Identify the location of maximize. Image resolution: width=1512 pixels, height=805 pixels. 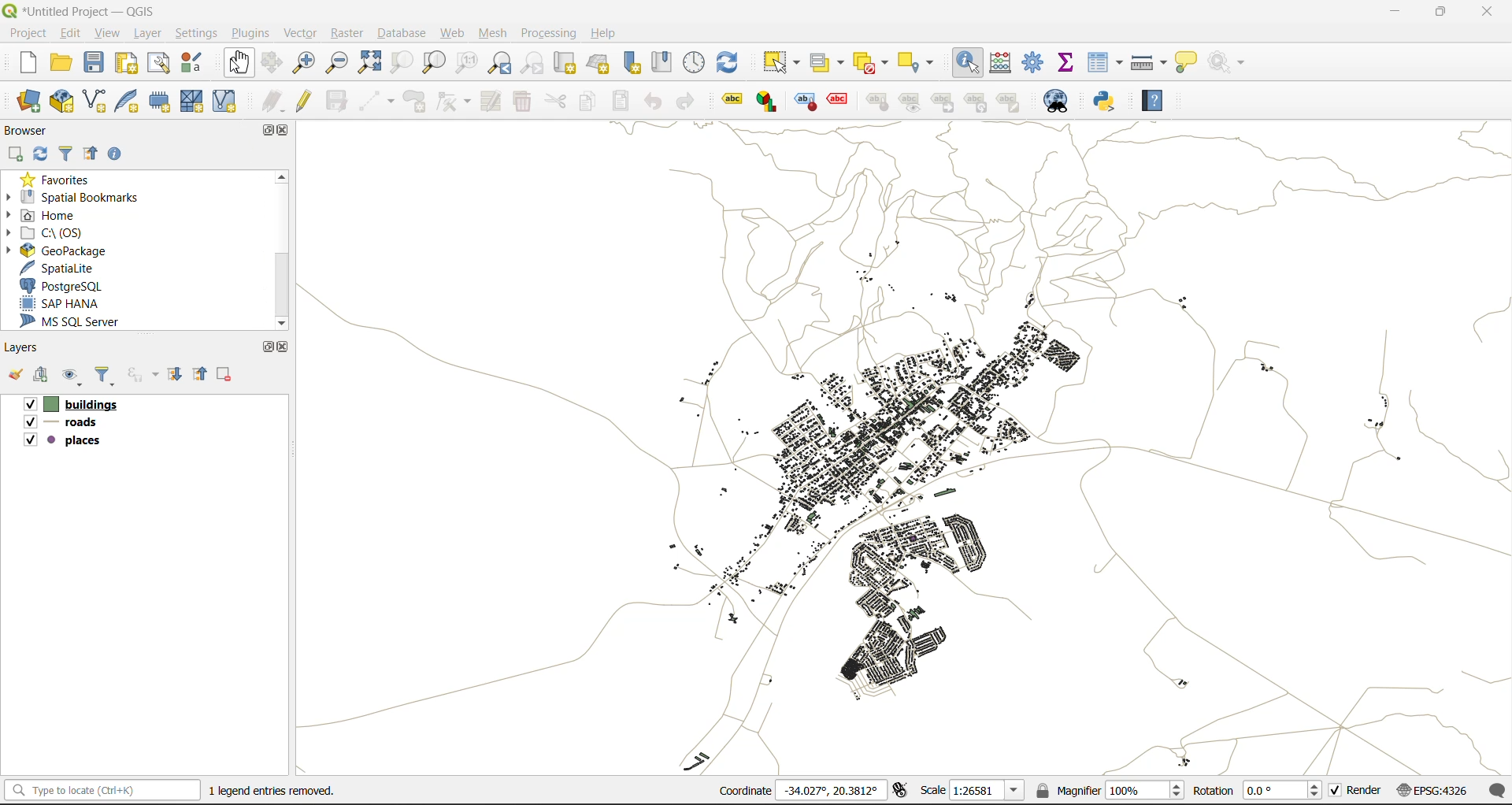
(263, 133).